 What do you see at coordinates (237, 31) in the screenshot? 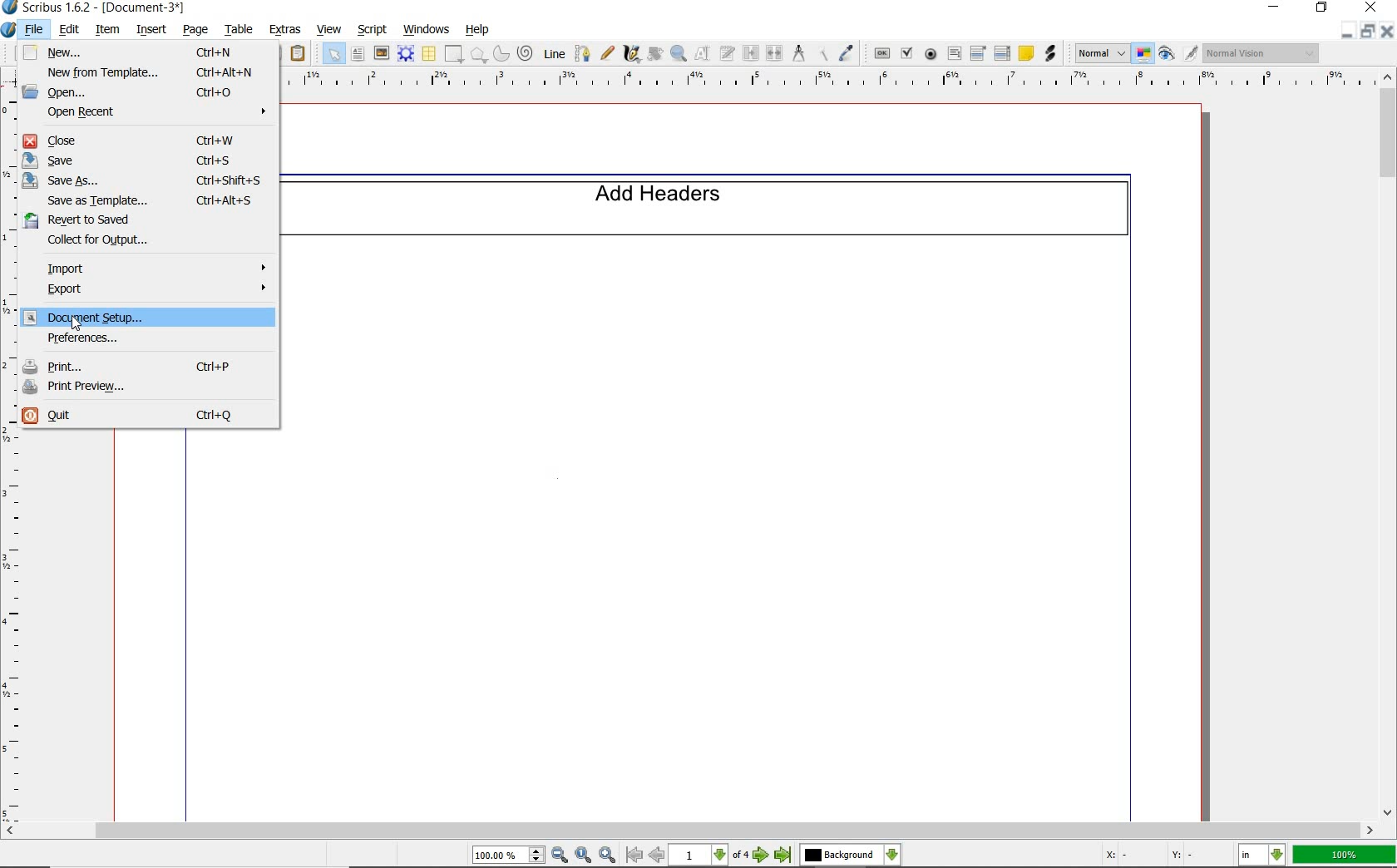
I see `table` at bounding box center [237, 31].